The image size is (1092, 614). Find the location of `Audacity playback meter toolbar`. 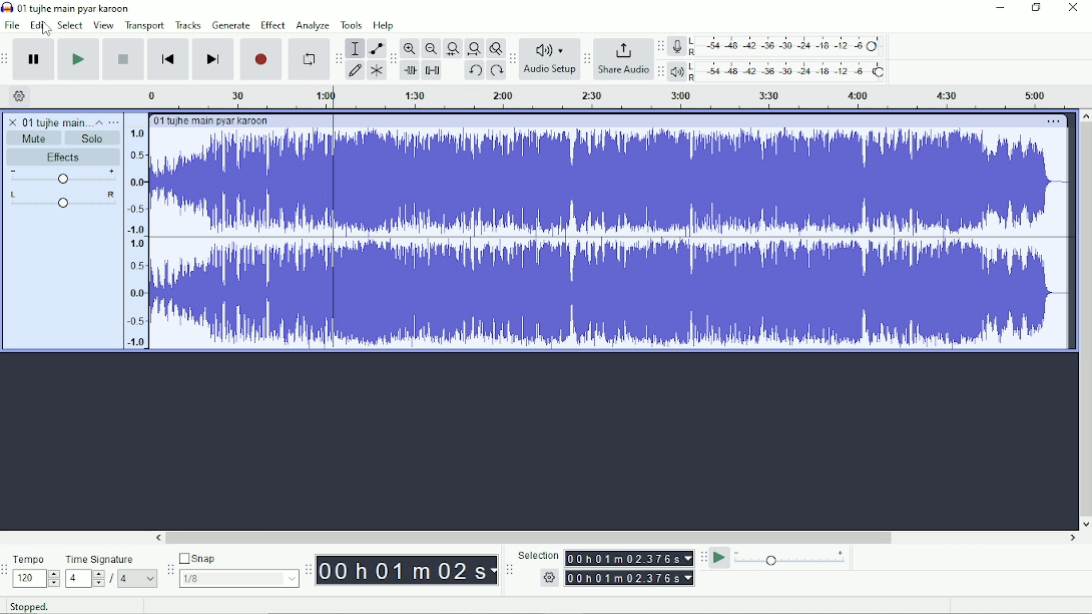

Audacity playback meter toolbar is located at coordinates (660, 72).